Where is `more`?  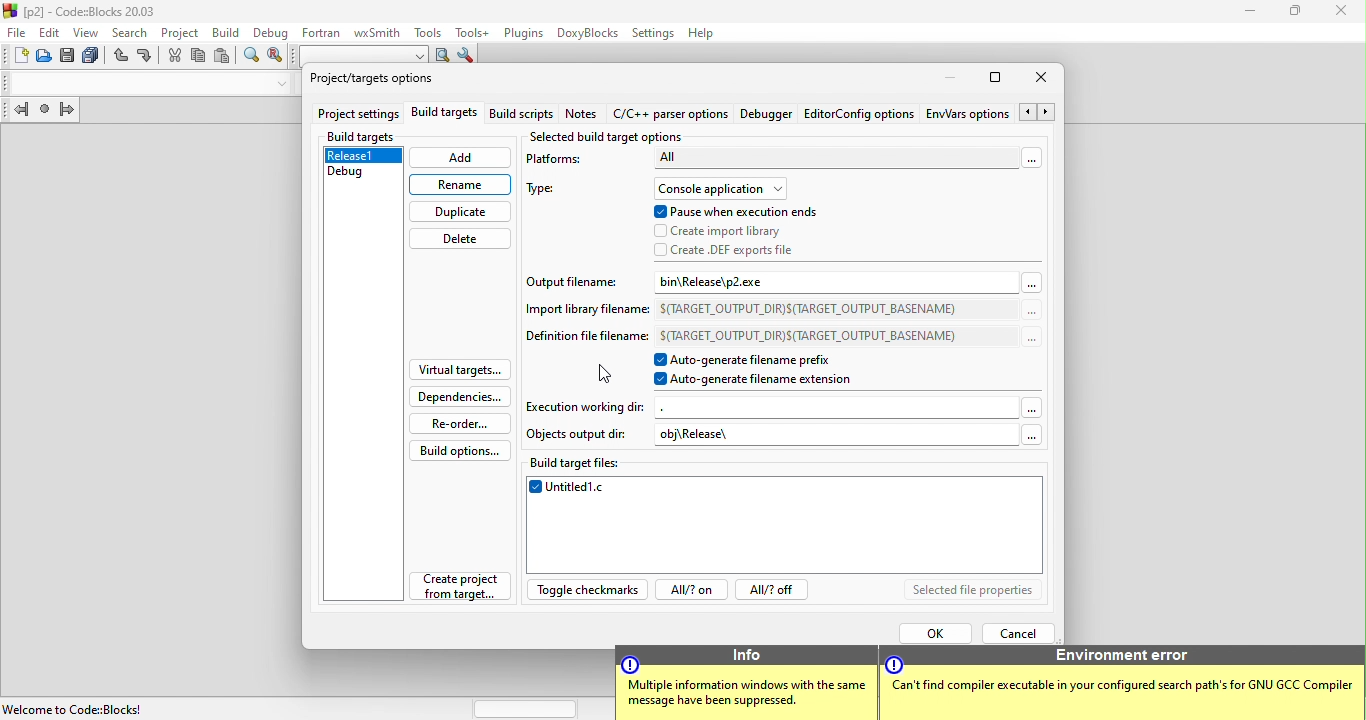
more is located at coordinates (1032, 285).